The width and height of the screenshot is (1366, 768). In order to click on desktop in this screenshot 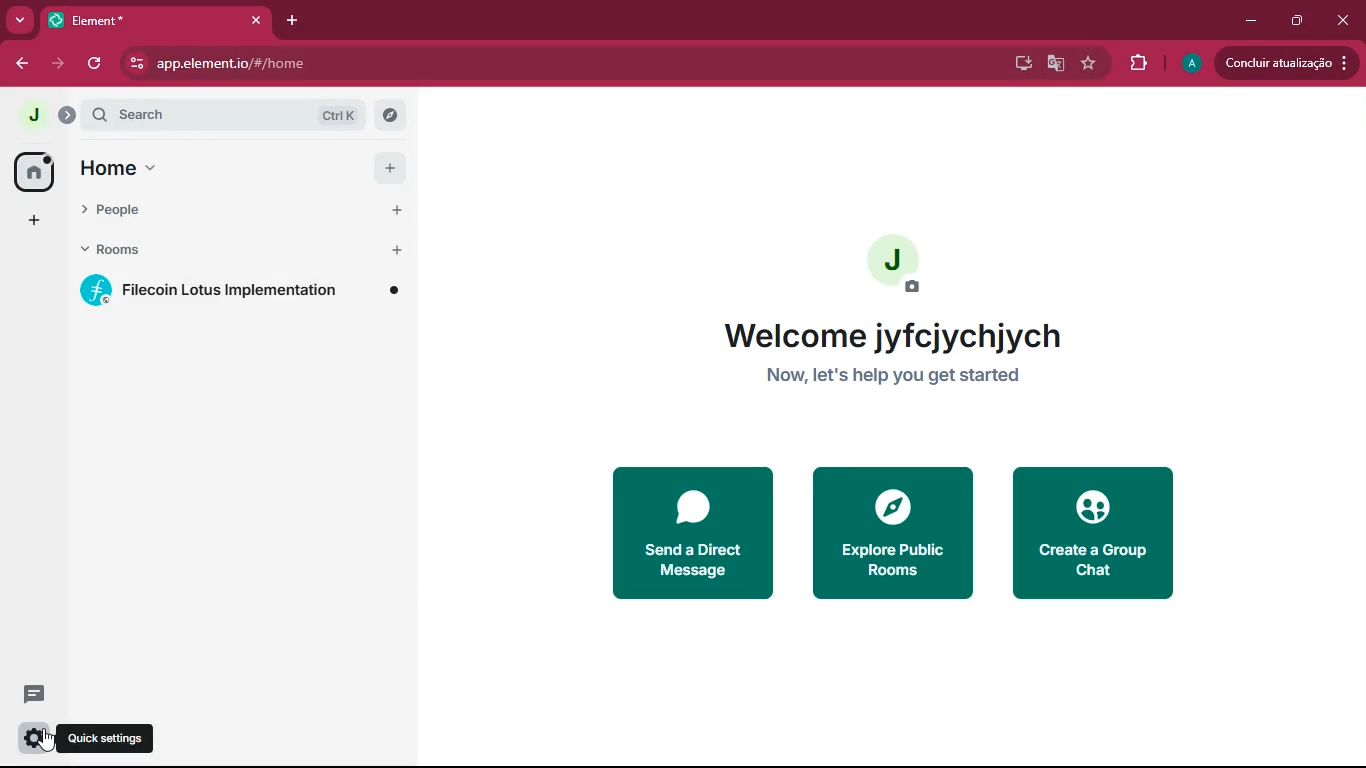, I will do `click(1019, 64)`.